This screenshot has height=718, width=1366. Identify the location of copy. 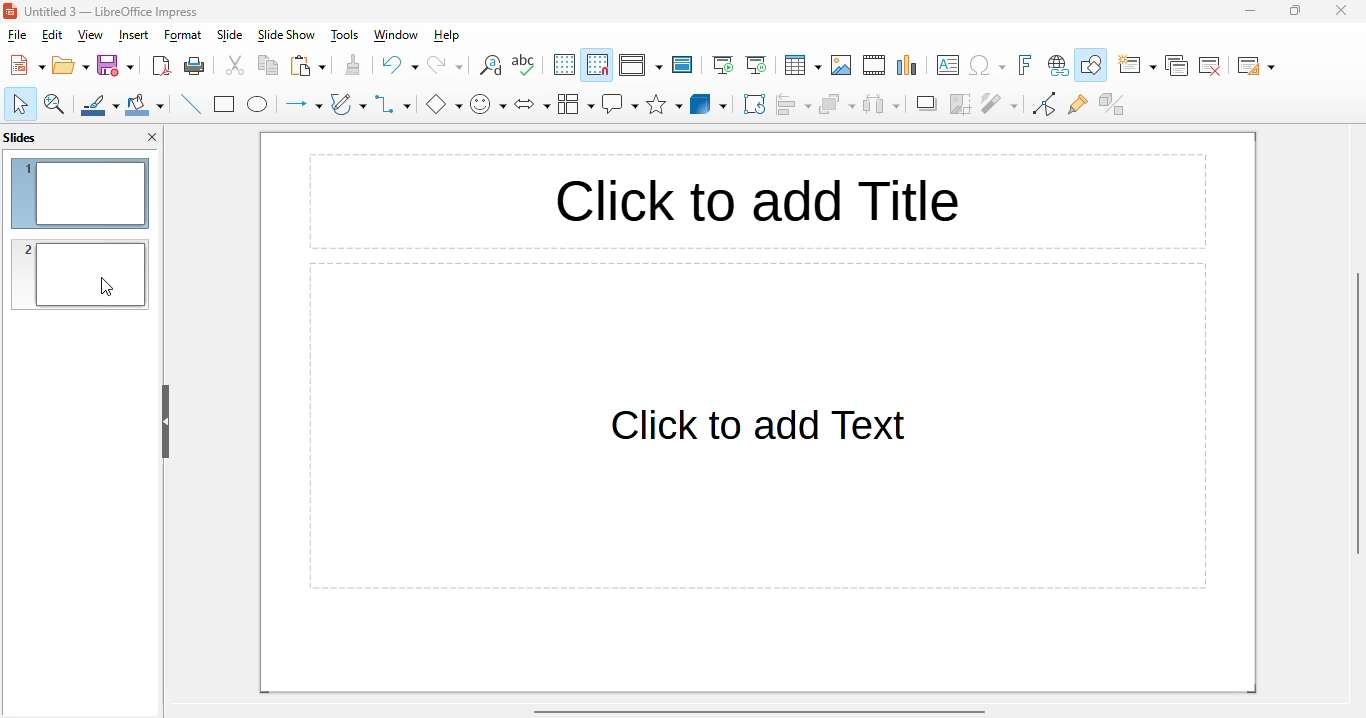
(267, 65).